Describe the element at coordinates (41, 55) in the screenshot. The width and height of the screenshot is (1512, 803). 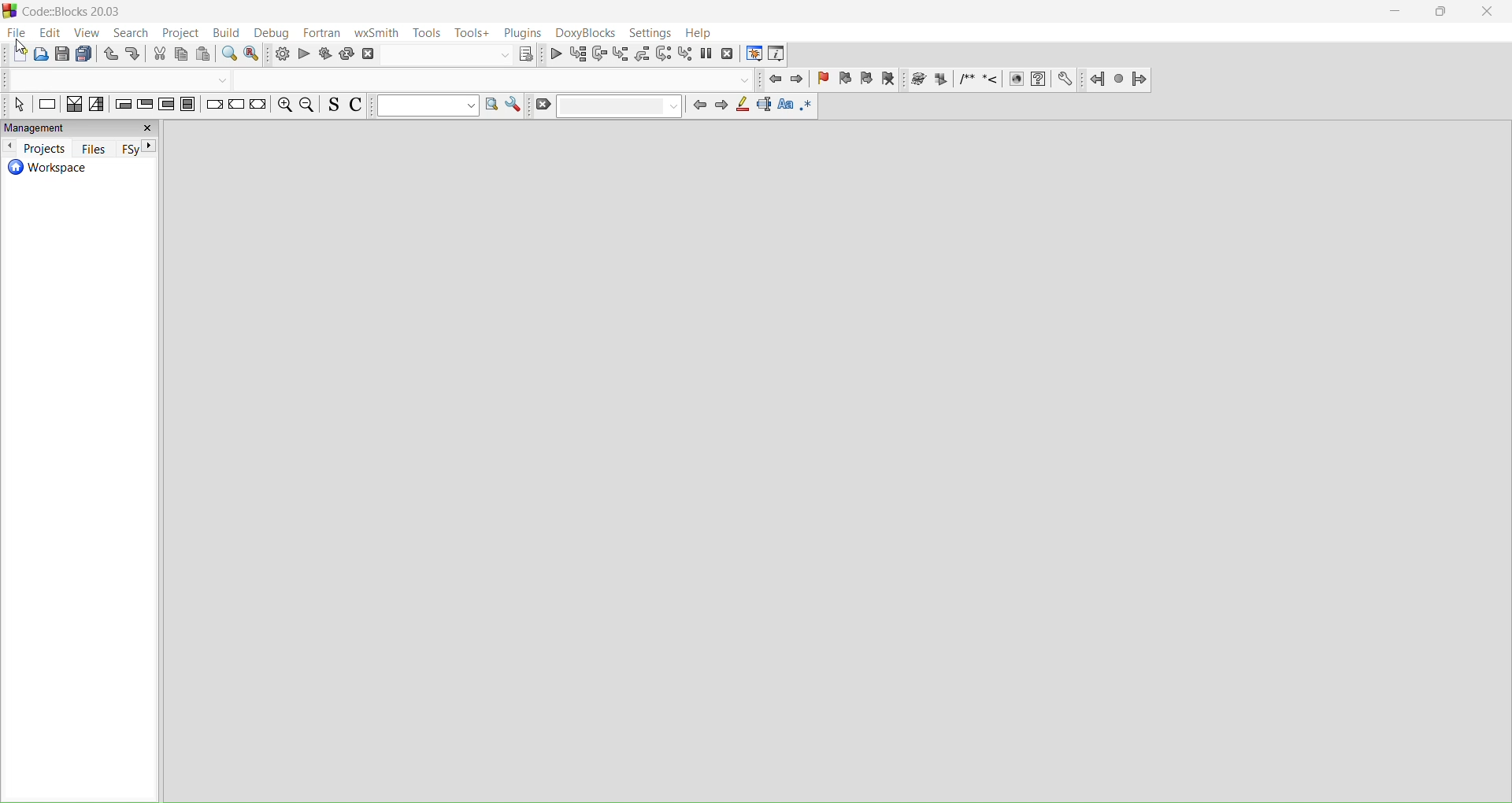
I see `open` at that location.